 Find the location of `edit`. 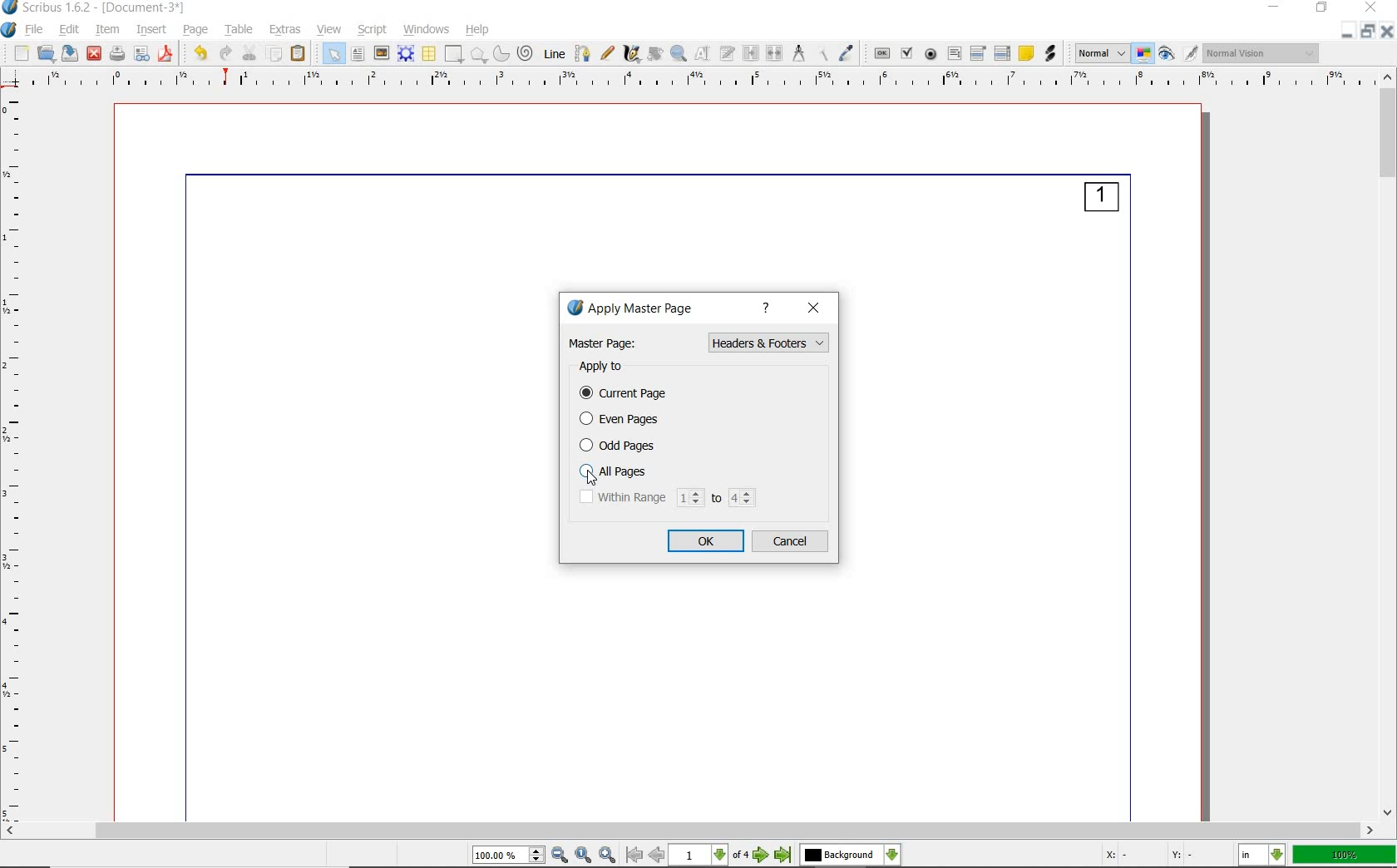

edit is located at coordinates (68, 29).